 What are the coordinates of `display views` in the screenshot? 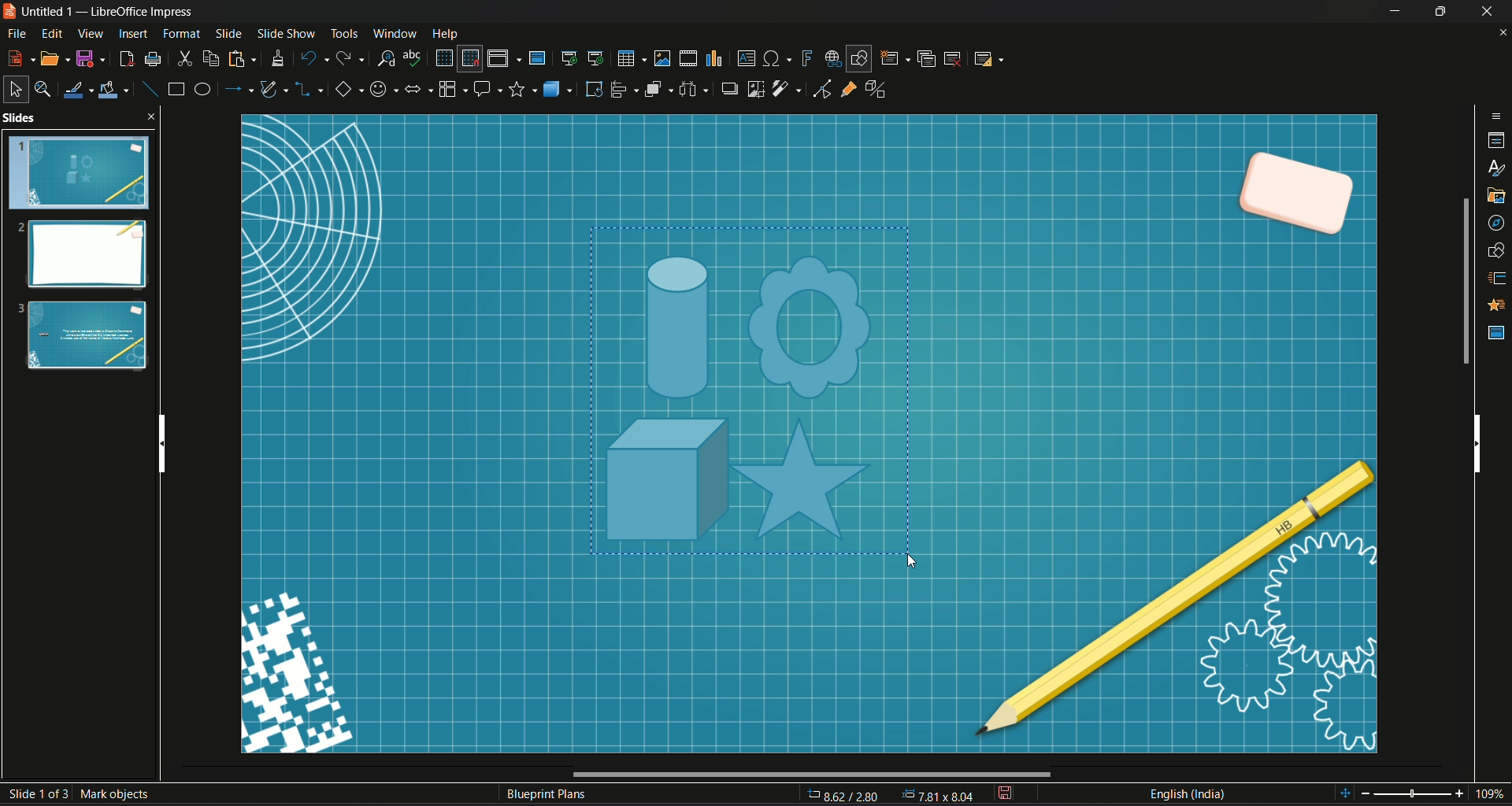 It's located at (504, 58).